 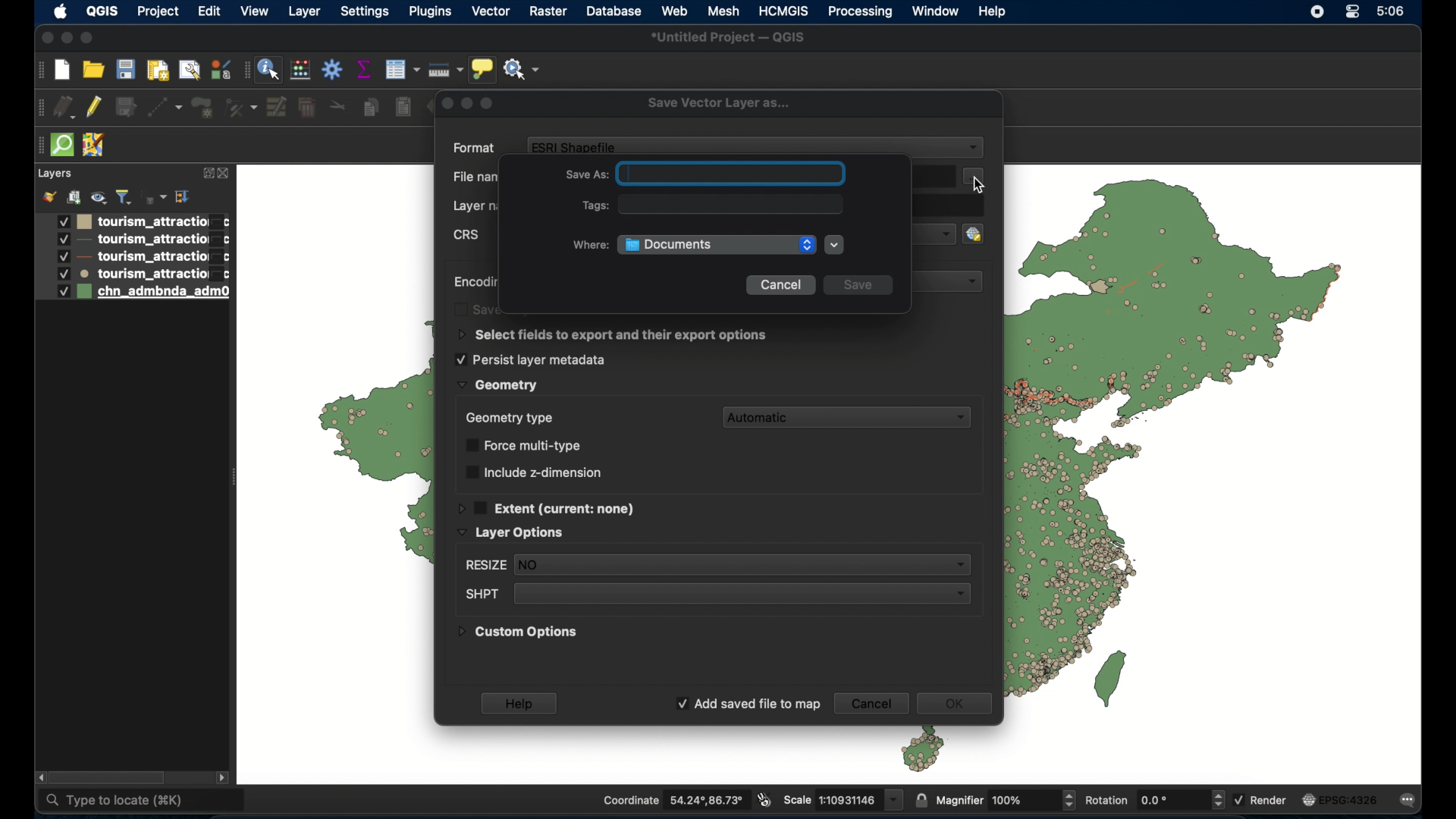 I want to click on scroll box, so click(x=109, y=777).